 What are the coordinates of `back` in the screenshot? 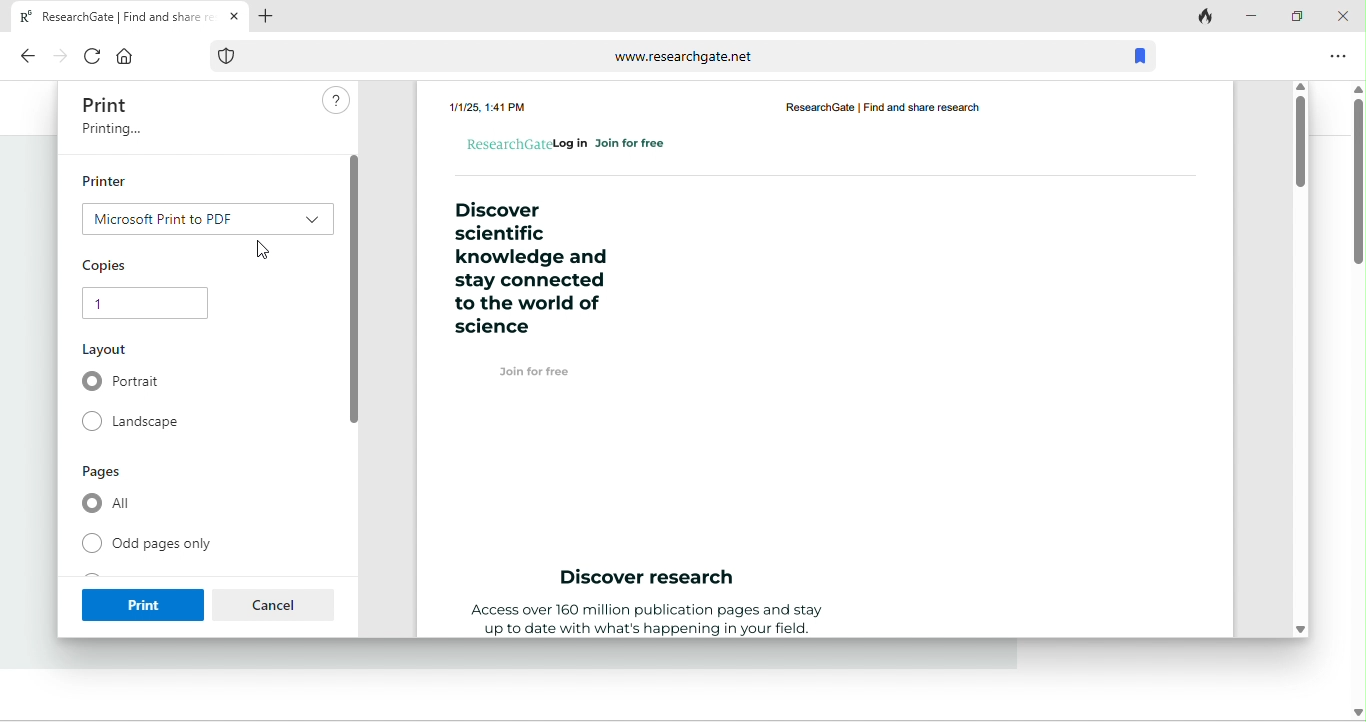 It's located at (28, 57).